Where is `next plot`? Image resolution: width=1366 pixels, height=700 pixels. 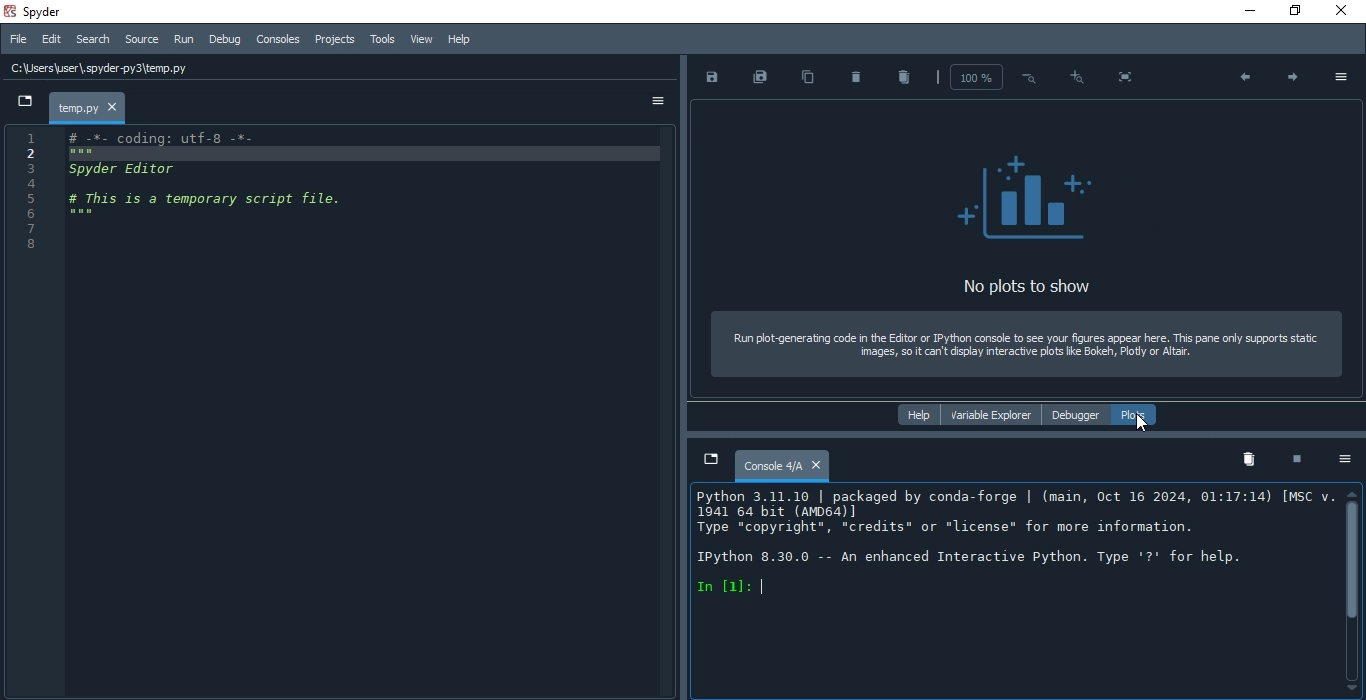
next plot is located at coordinates (1289, 76).